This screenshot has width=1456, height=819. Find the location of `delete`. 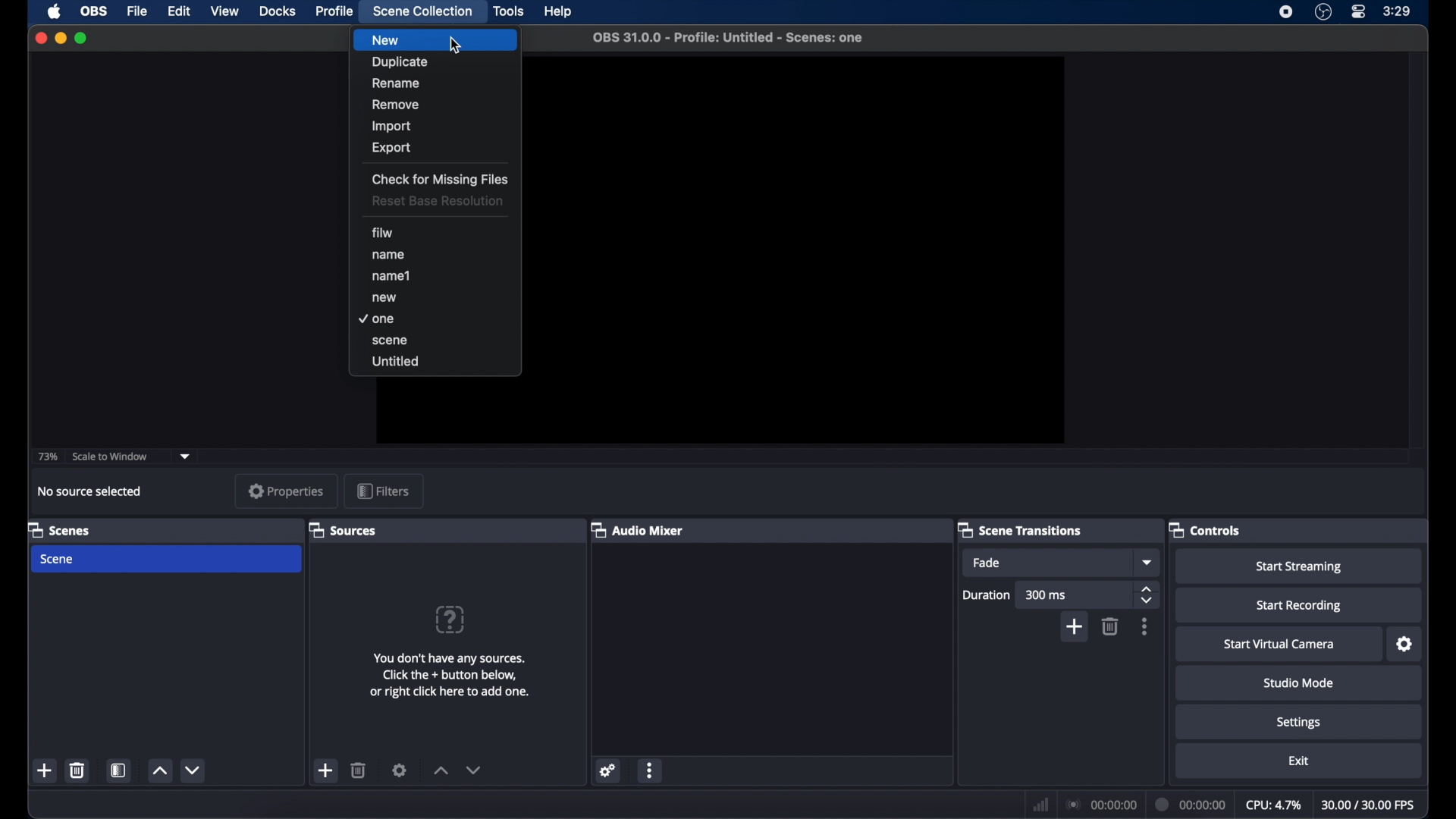

delete is located at coordinates (77, 770).